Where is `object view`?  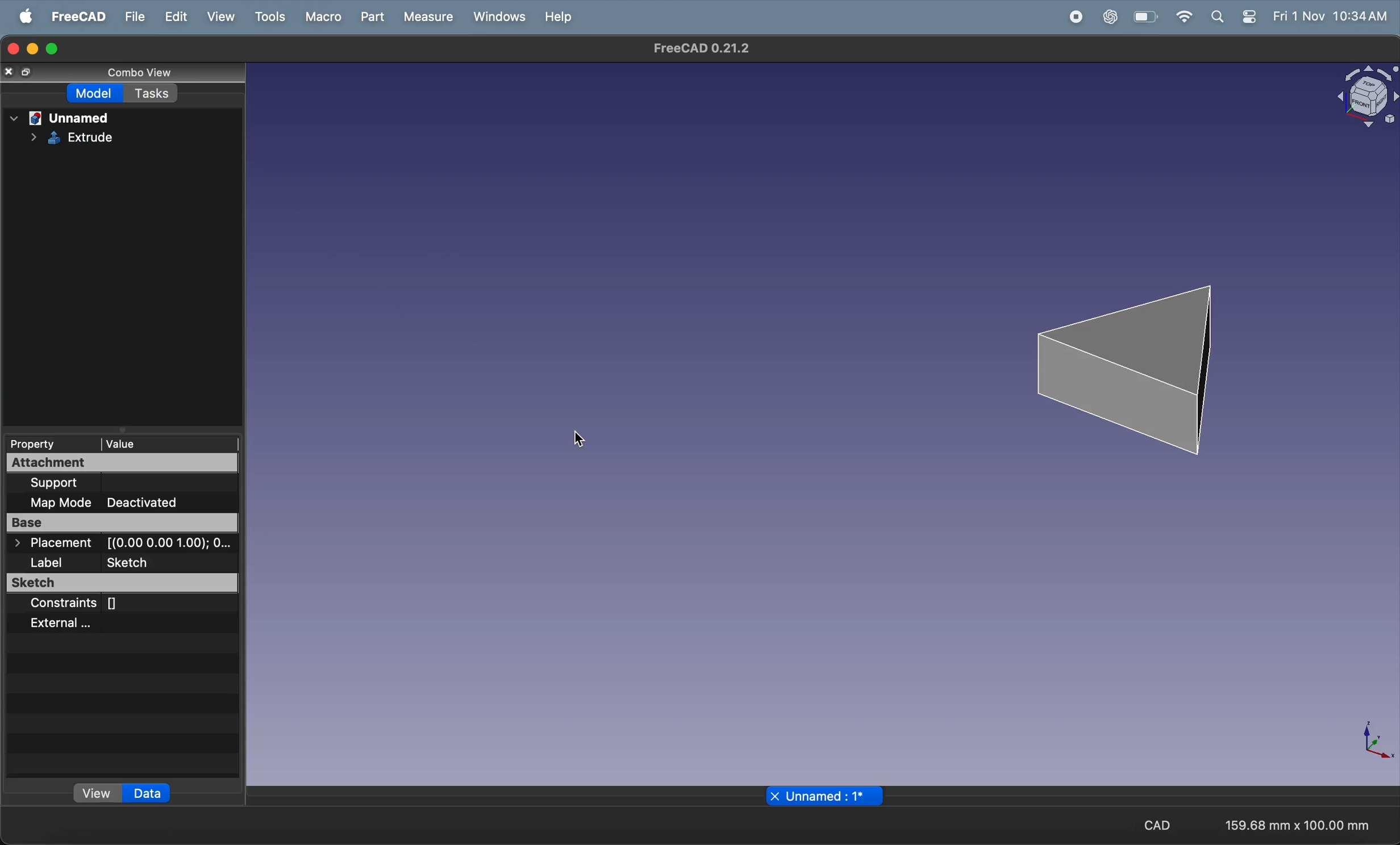
object view is located at coordinates (1359, 98).